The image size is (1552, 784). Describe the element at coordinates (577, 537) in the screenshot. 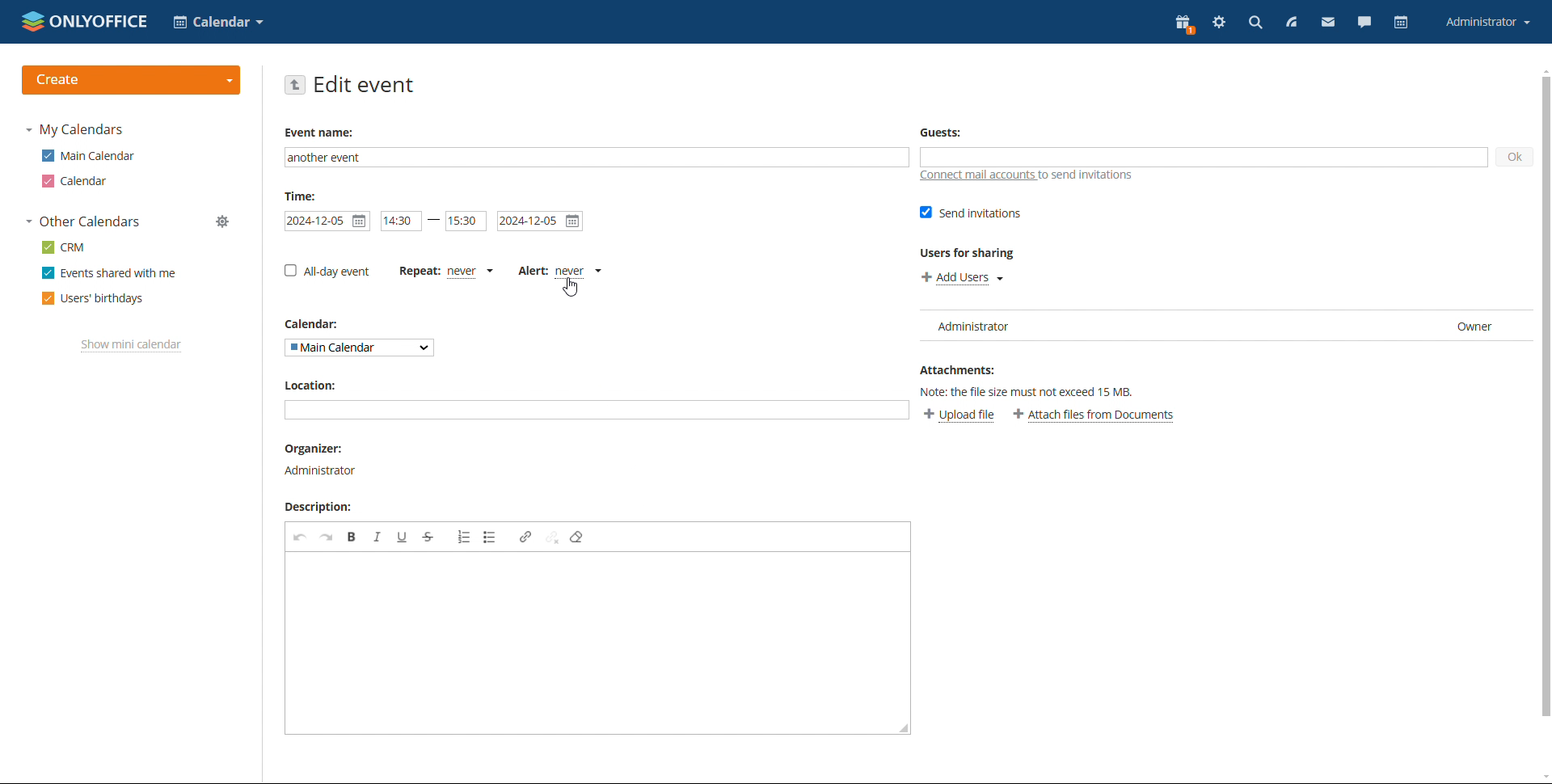

I see `remove format` at that location.